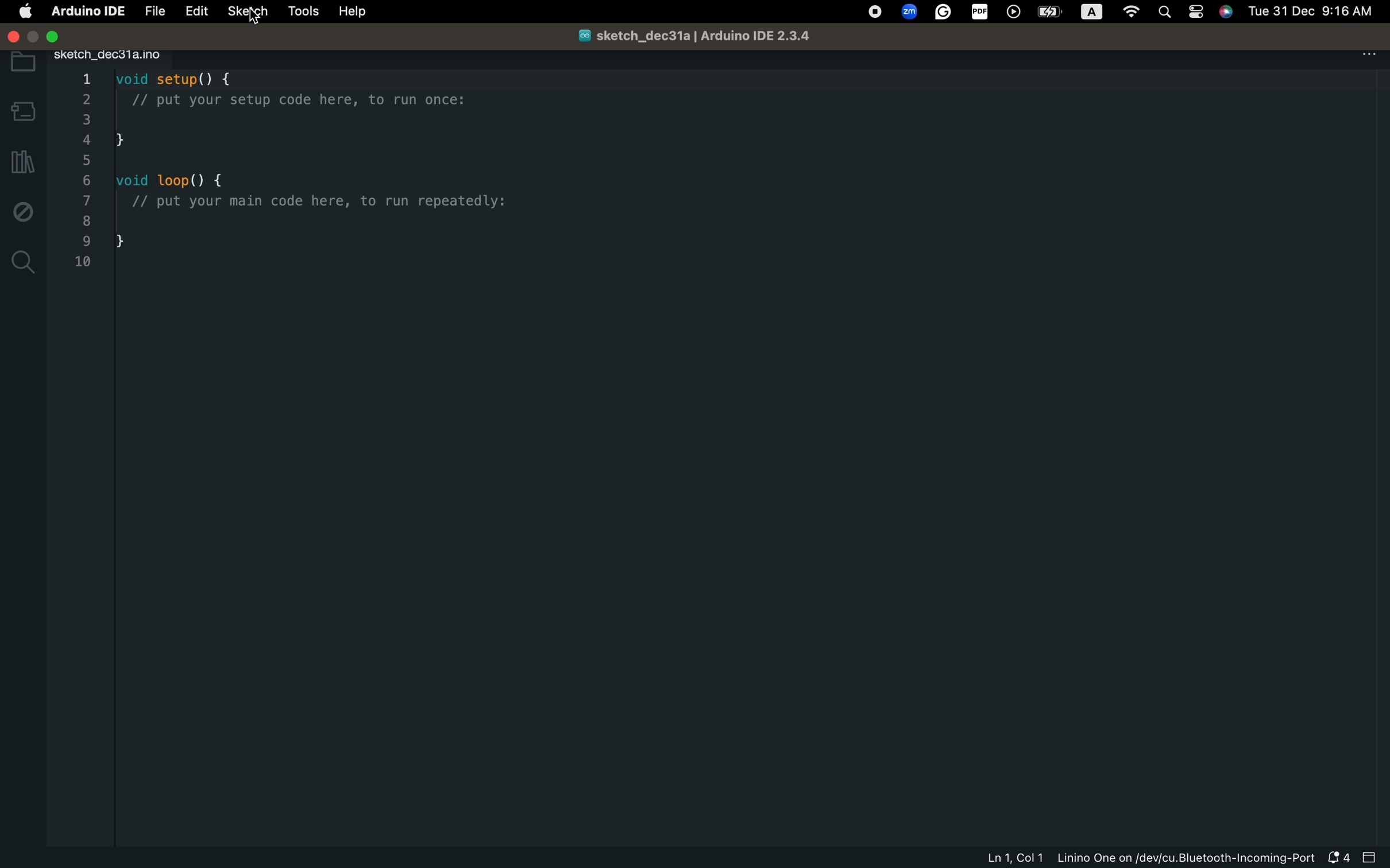  I want to click on close bar, so click(1373, 857).